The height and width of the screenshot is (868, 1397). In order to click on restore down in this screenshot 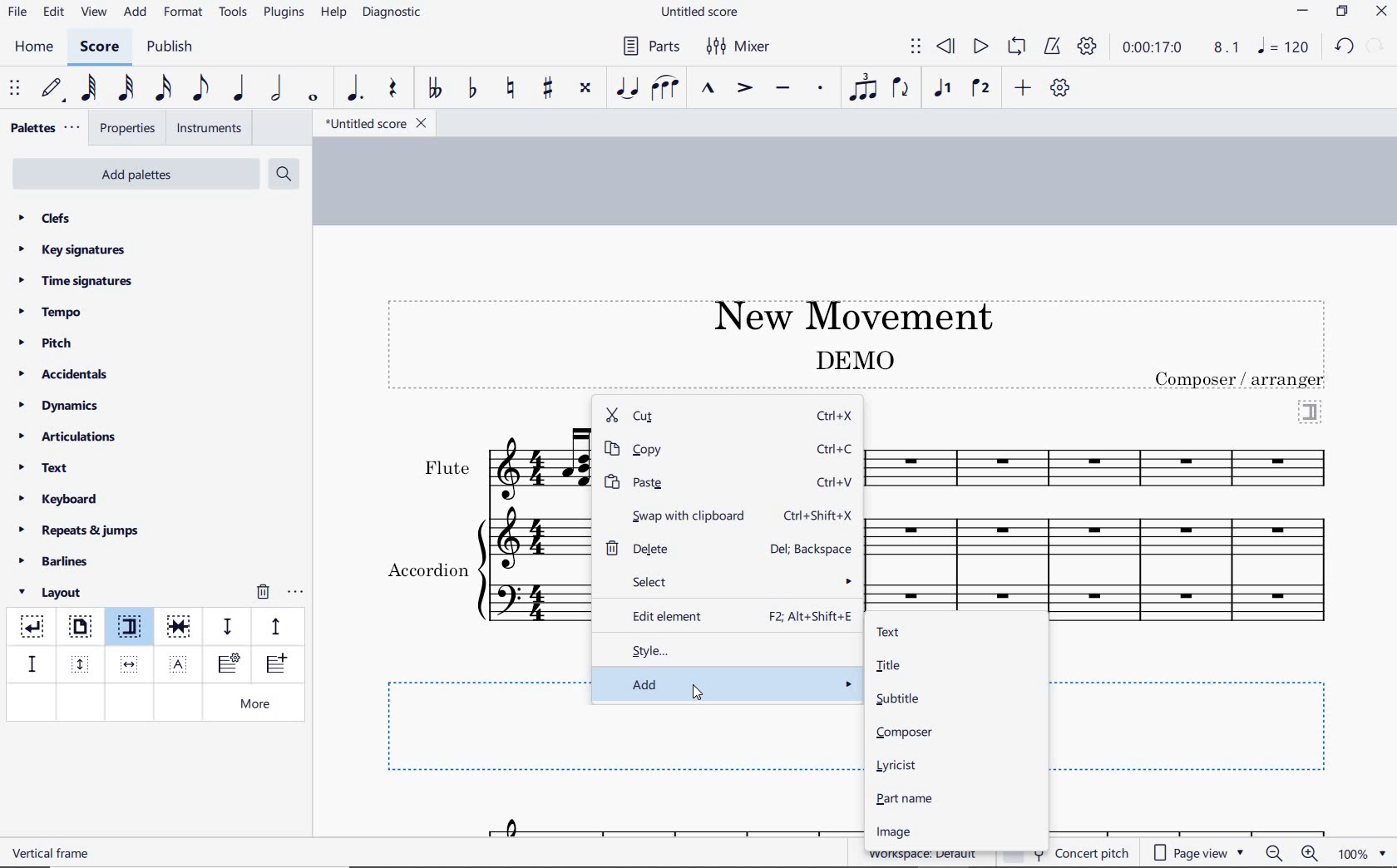, I will do `click(1343, 12)`.